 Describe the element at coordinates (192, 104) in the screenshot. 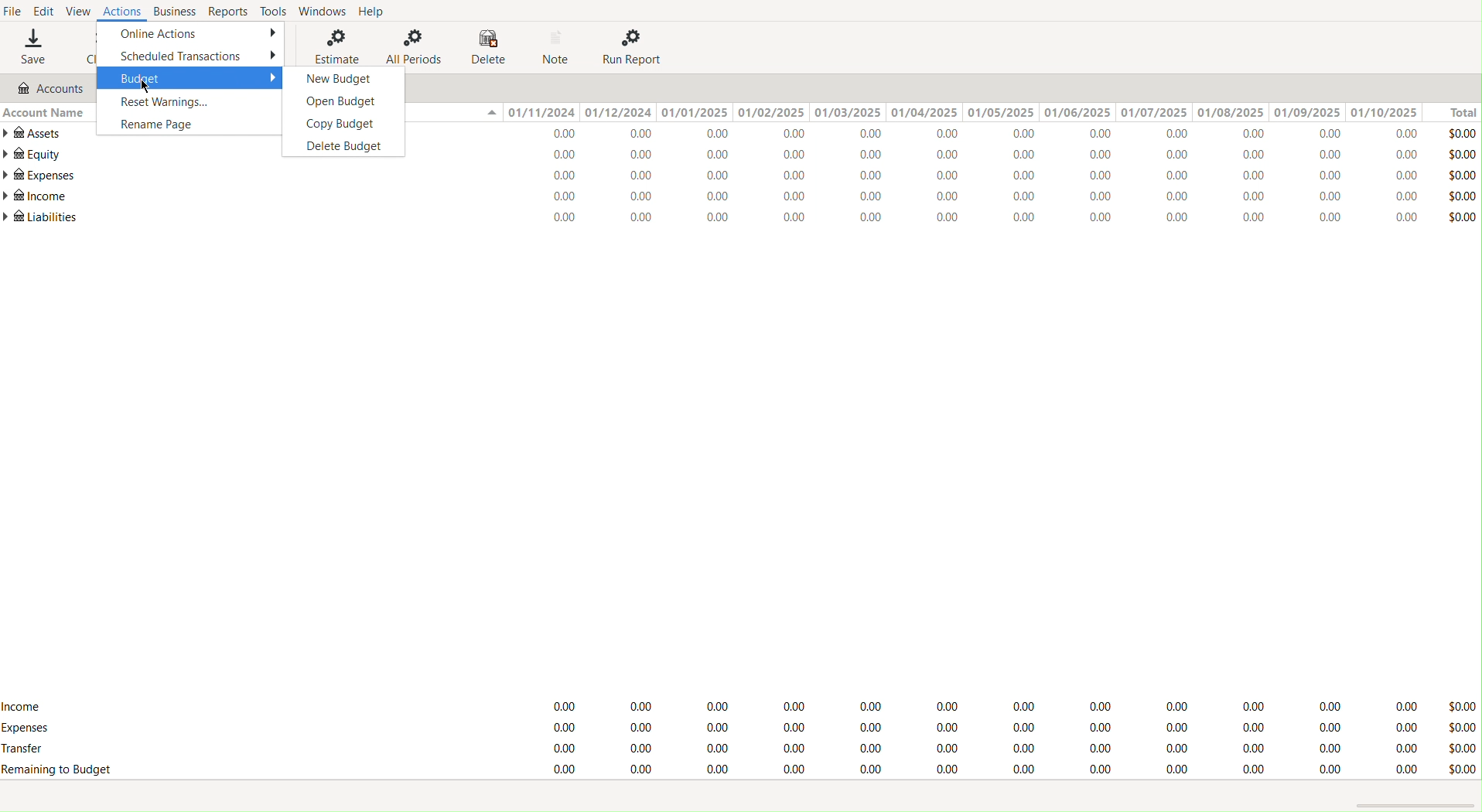

I see `Reset Warning` at that location.